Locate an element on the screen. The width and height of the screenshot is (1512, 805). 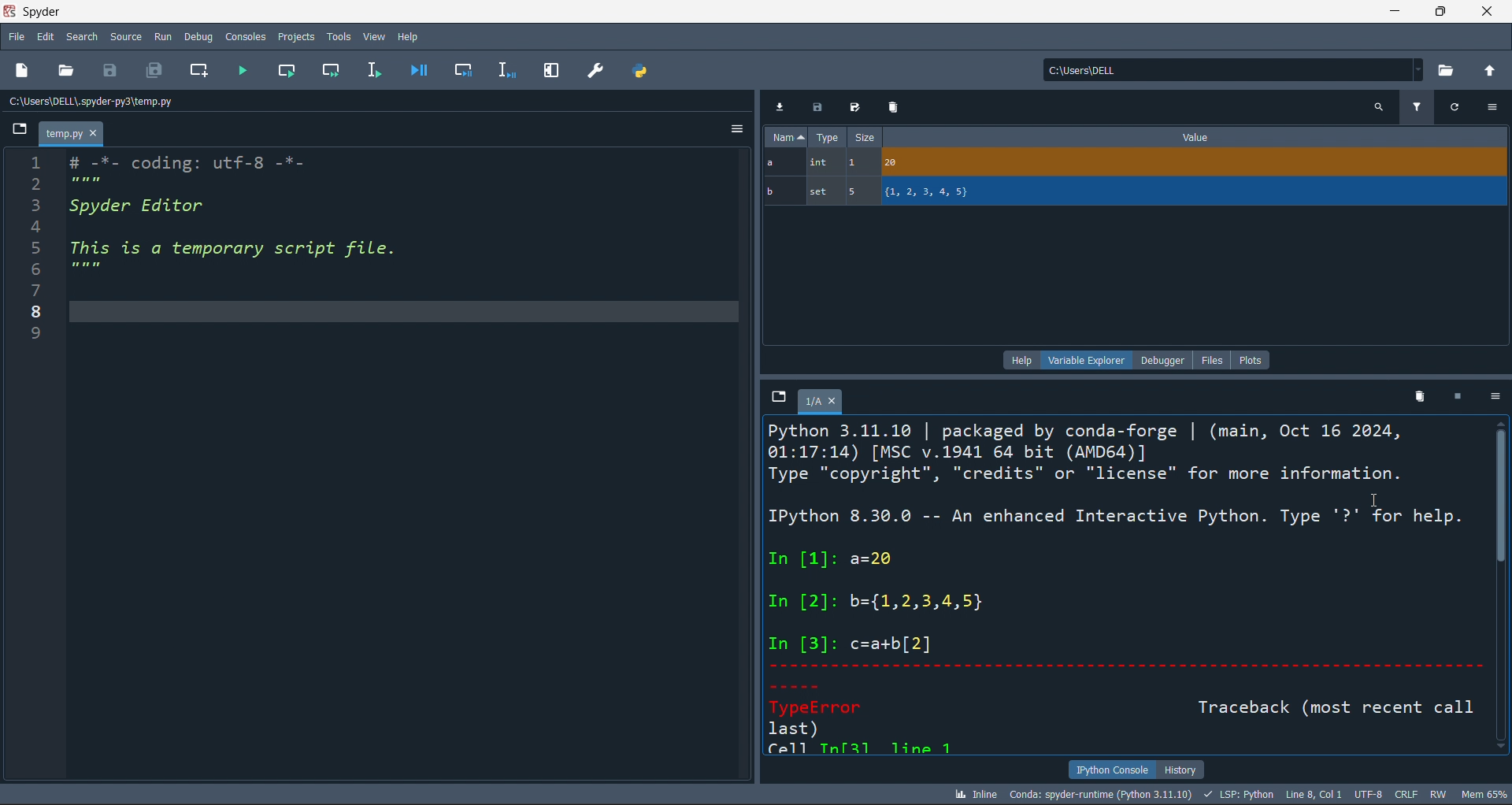
file is located at coordinates (1216, 359).